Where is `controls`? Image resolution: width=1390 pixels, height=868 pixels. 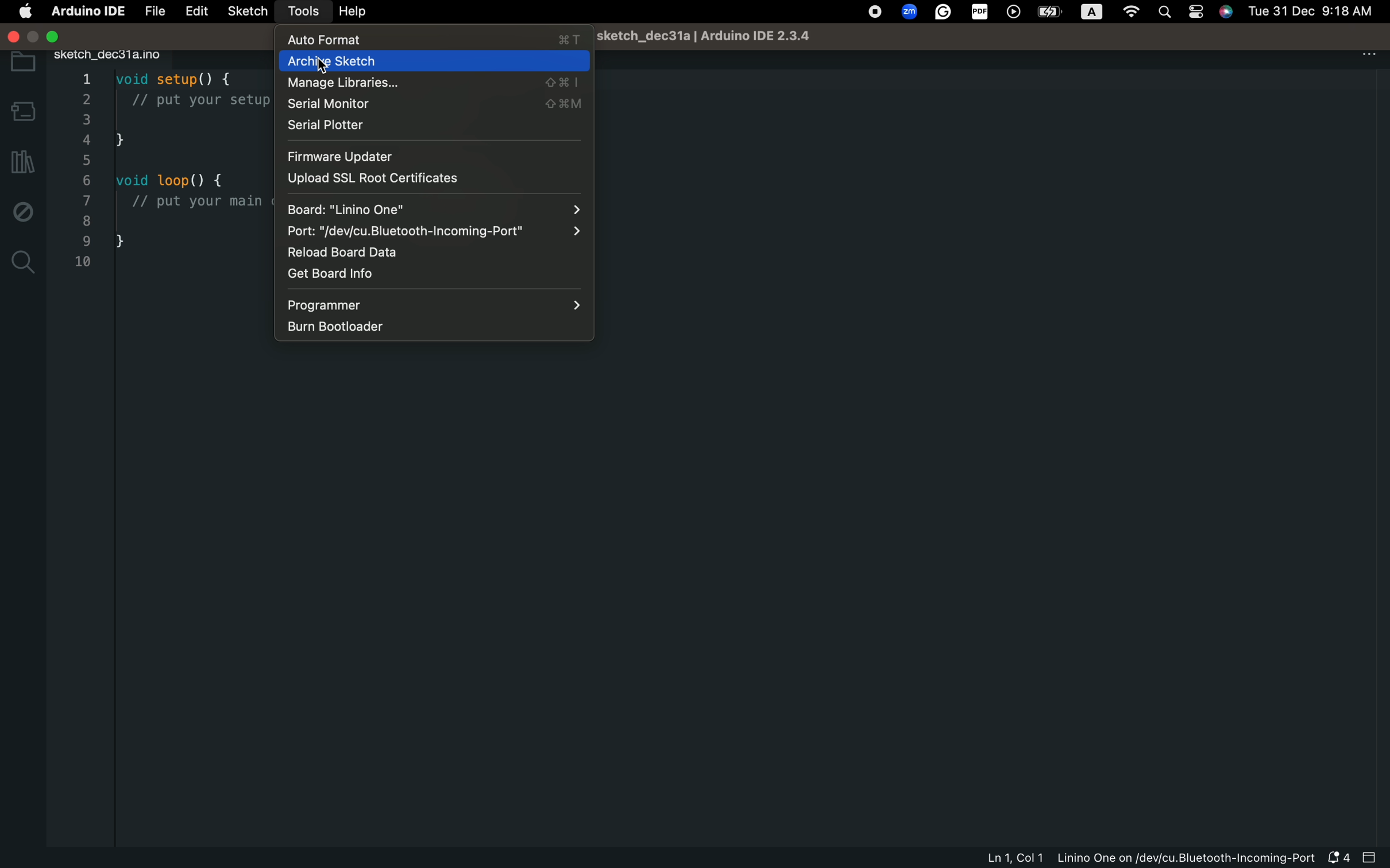
controls is located at coordinates (1196, 14).